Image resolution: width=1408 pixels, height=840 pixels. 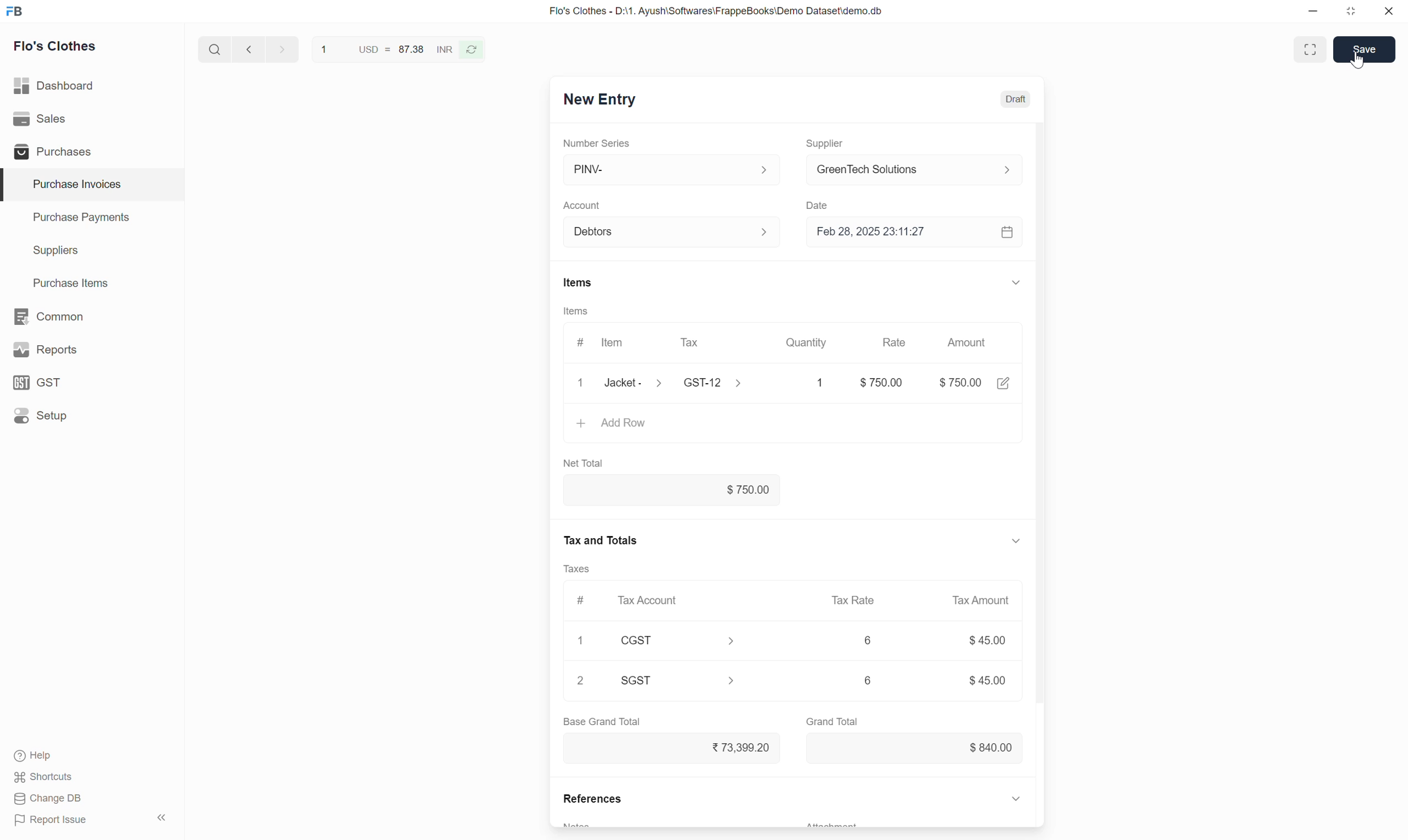 I want to click on Vertical slide bar, so click(x=1040, y=436).